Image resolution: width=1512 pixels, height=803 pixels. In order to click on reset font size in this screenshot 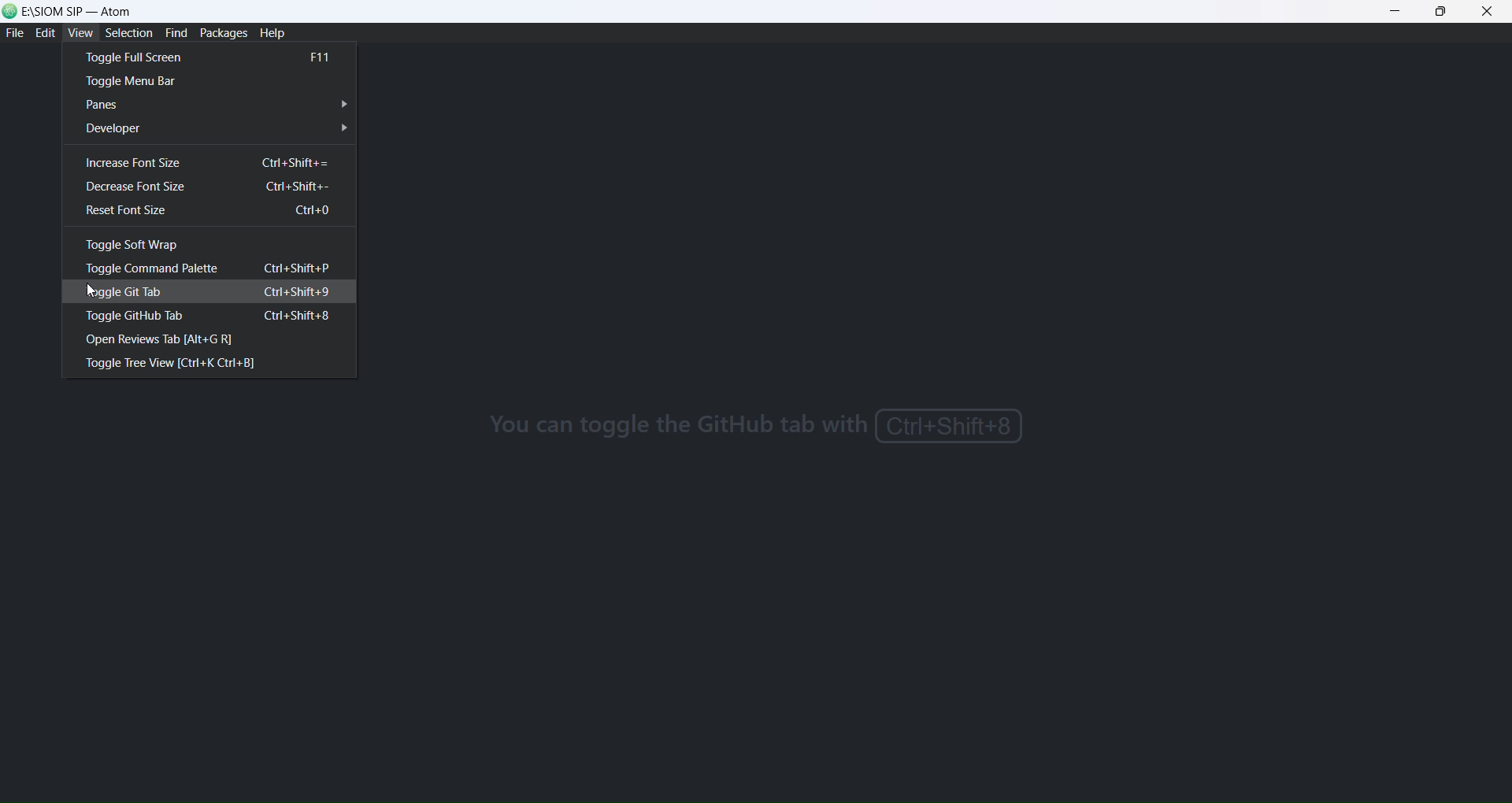, I will do `click(206, 212)`.